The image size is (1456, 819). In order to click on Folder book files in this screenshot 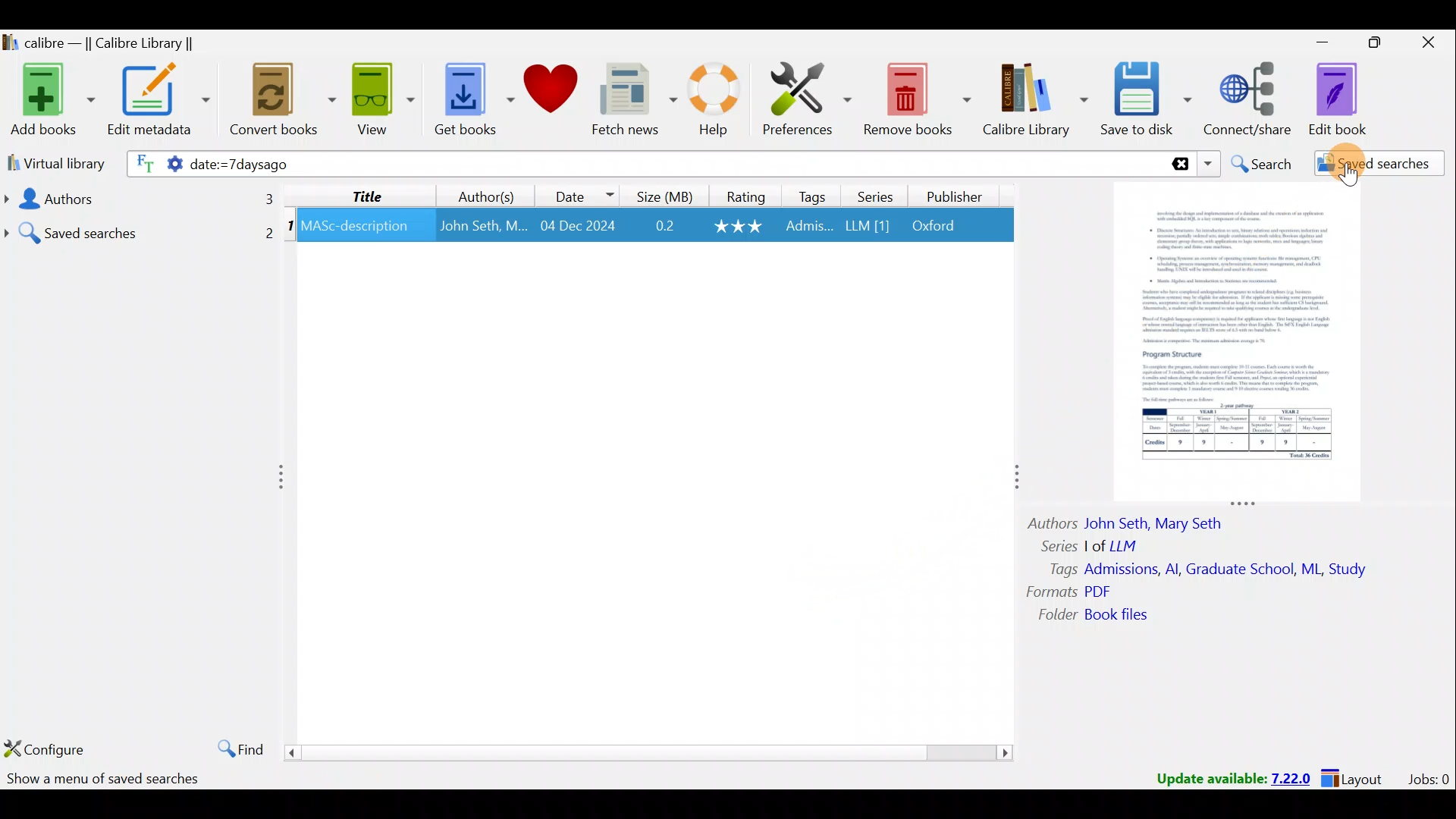, I will do `click(1105, 616)`.